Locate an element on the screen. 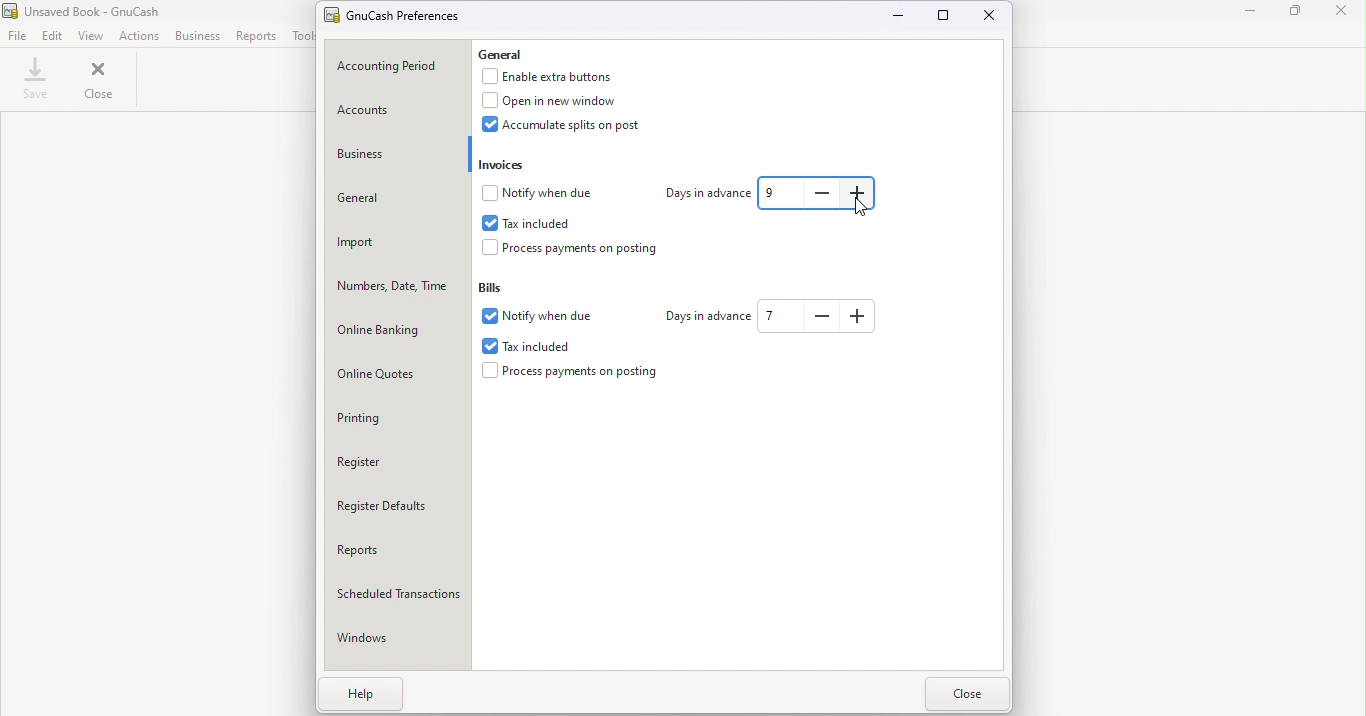 The image size is (1366, 716). Windows is located at coordinates (401, 642).